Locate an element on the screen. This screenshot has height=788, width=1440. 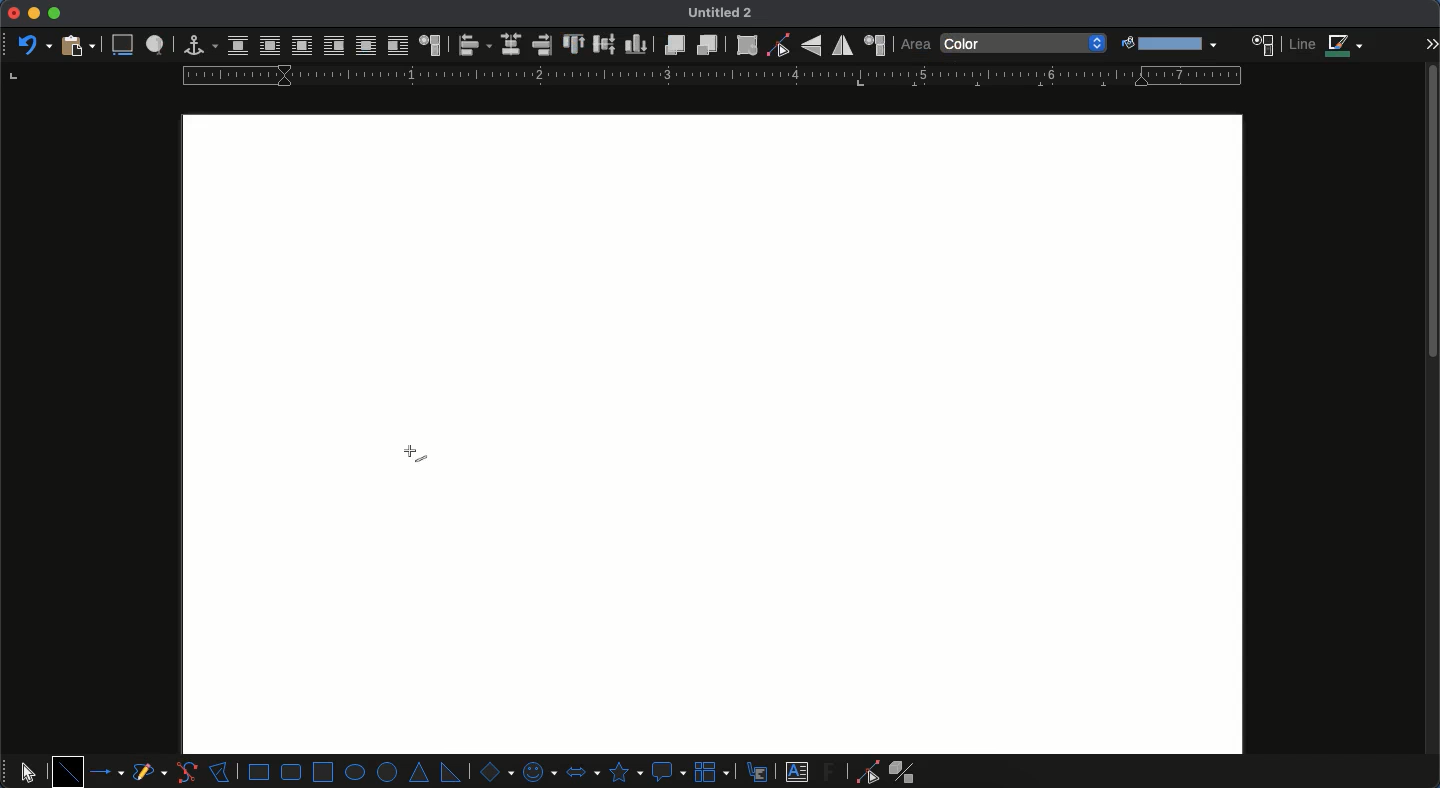
center is located at coordinates (605, 42).